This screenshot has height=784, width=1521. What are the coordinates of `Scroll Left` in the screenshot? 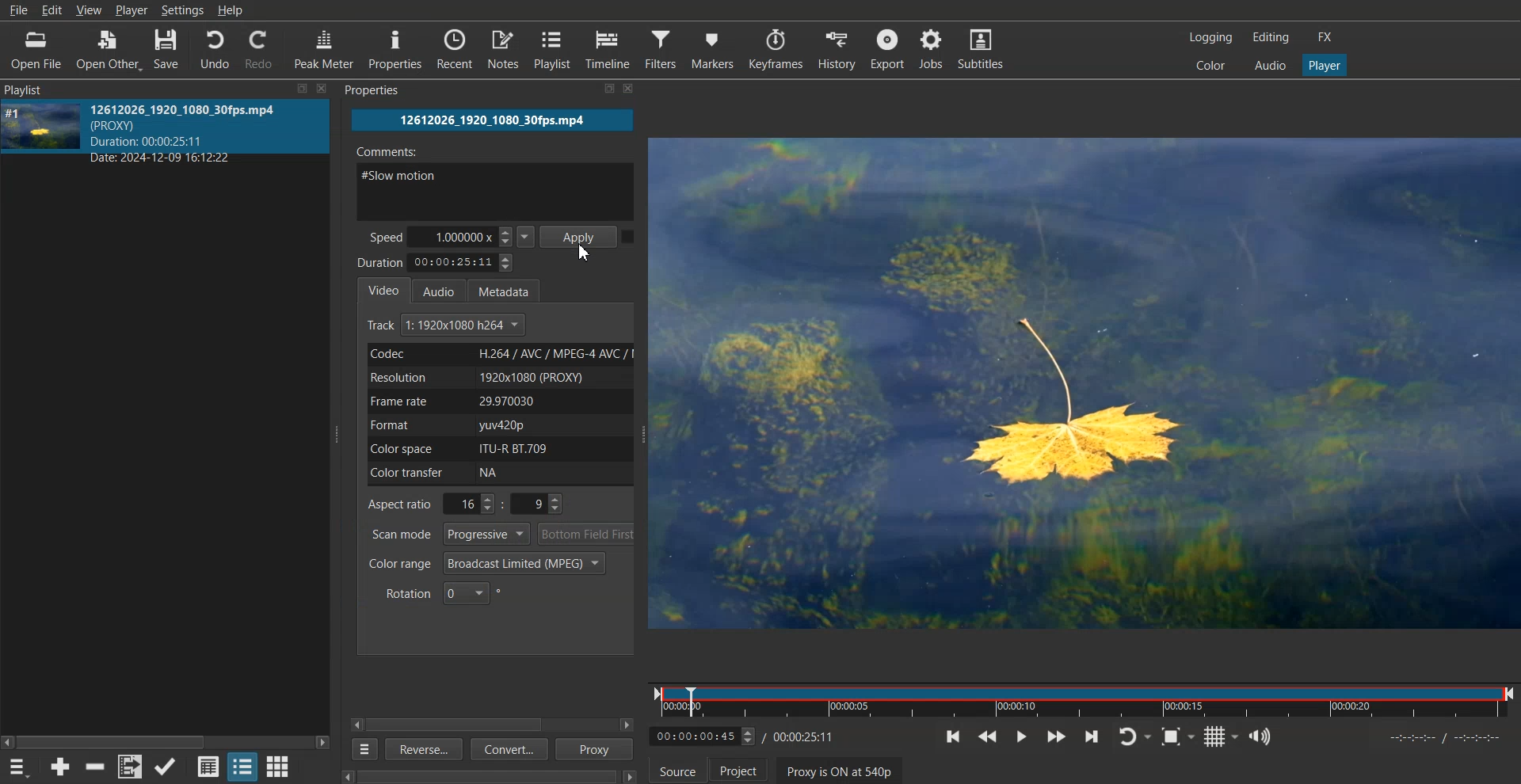 It's located at (357, 724).